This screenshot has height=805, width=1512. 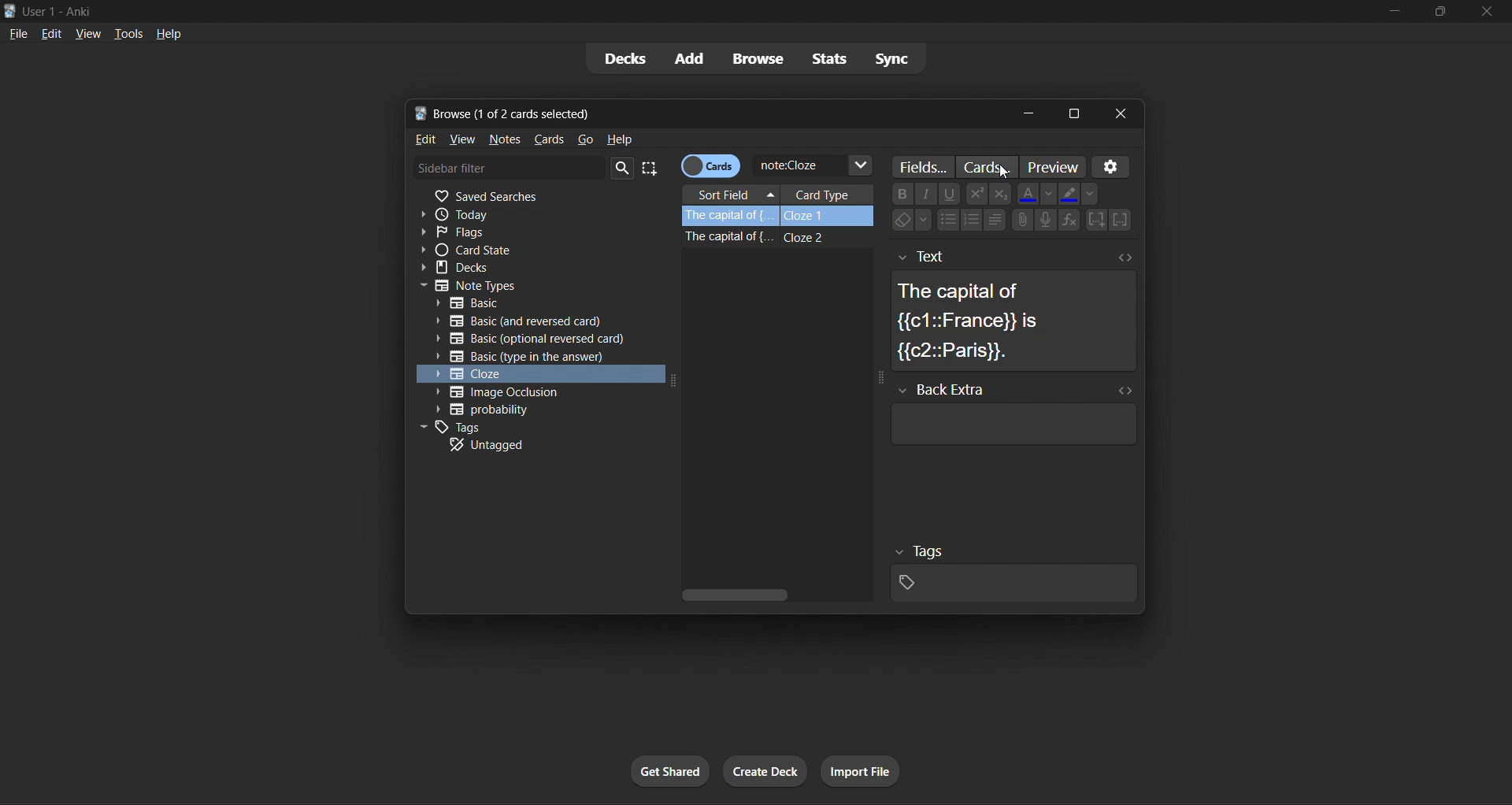 What do you see at coordinates (713, 166) in the screenshot?
I see `cards toggle` at bounding box center [713, 166].